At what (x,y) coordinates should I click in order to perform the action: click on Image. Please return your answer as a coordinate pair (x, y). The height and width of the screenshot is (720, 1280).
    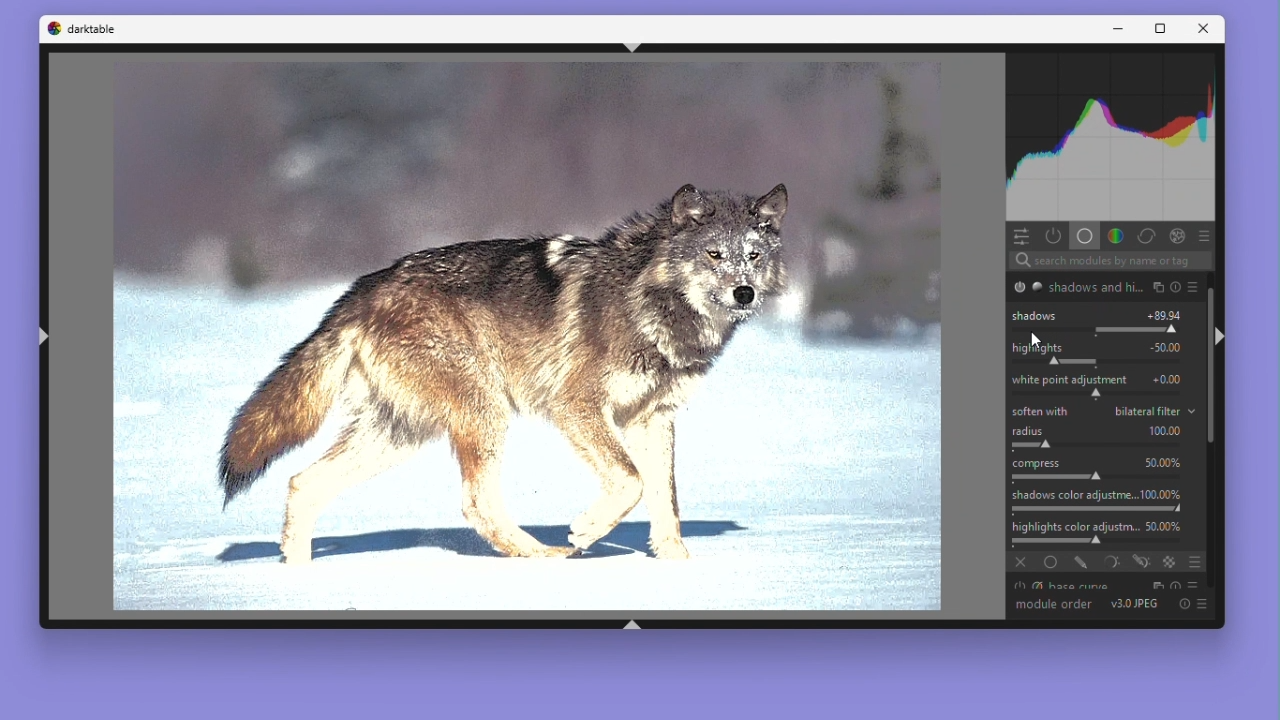
    Looking at the image, I should click on (523, 335).